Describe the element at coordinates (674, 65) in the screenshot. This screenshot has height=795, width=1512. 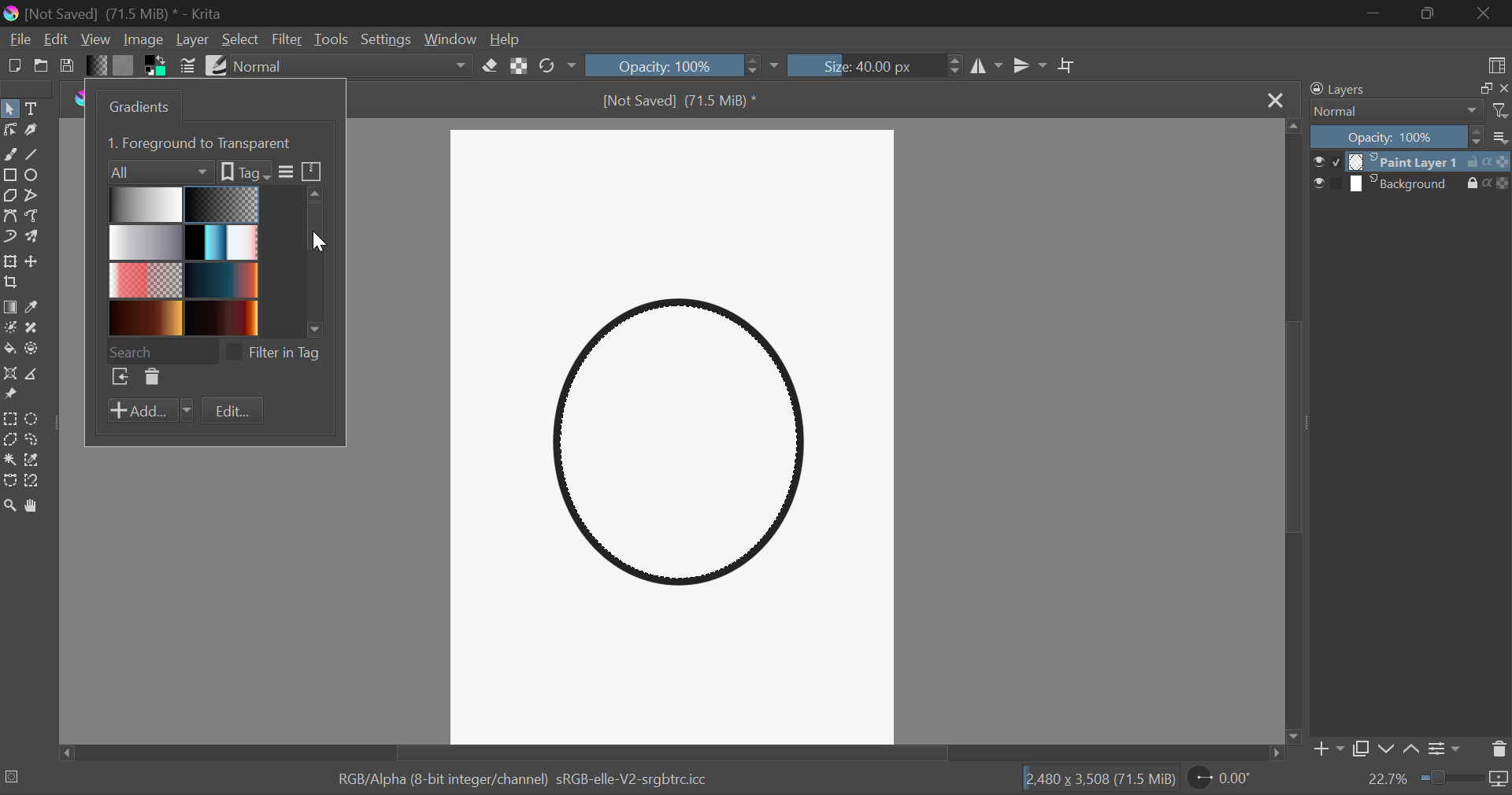
I see `Opacity` at that location.